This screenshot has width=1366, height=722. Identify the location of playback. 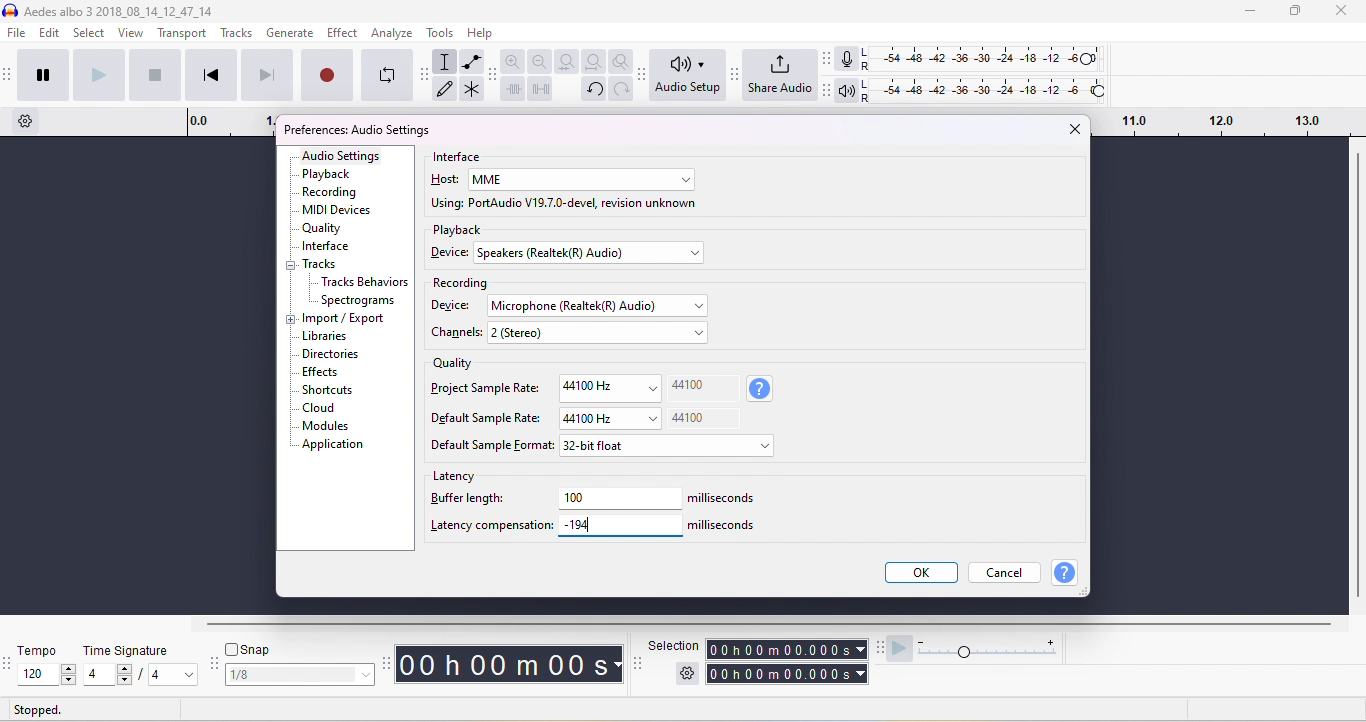
(327, 174).